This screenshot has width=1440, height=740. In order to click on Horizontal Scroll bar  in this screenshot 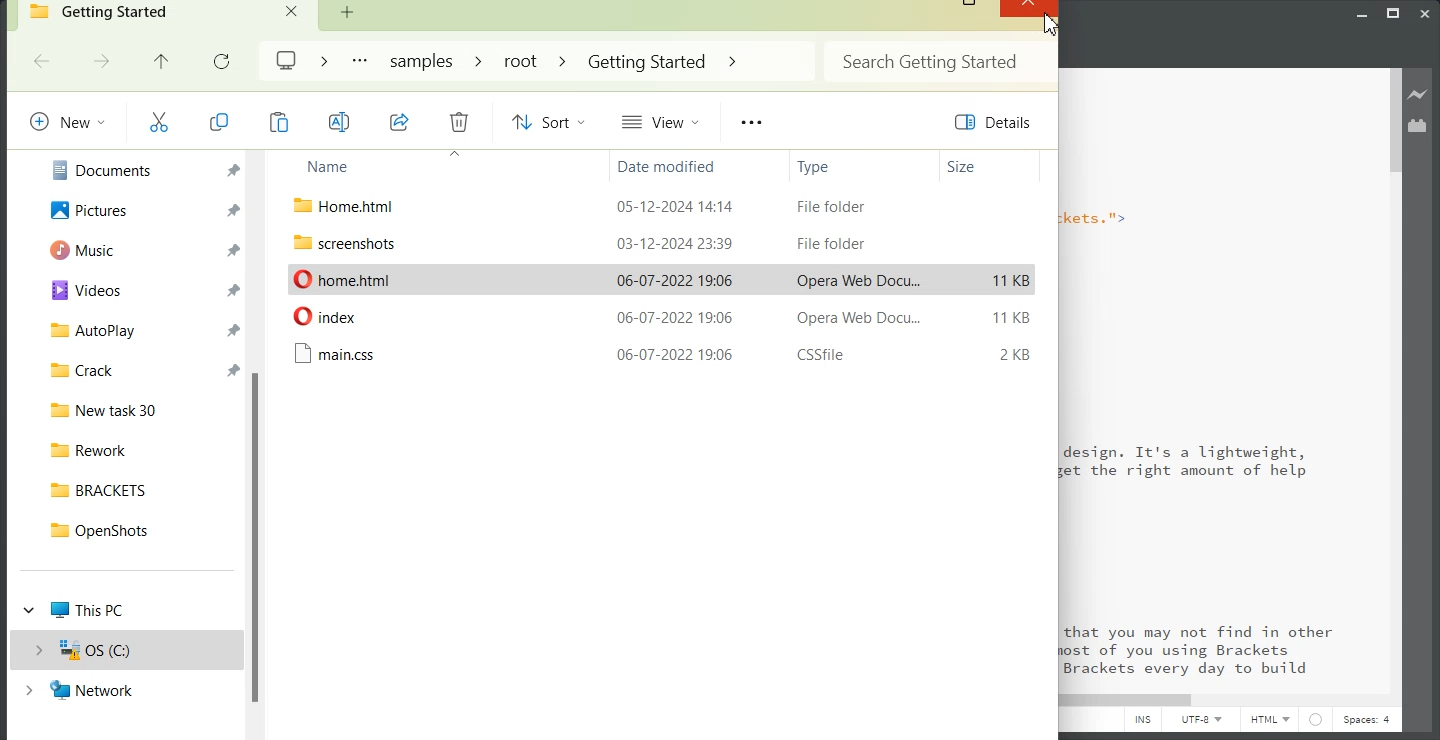, I will do `click(810, 699)`.